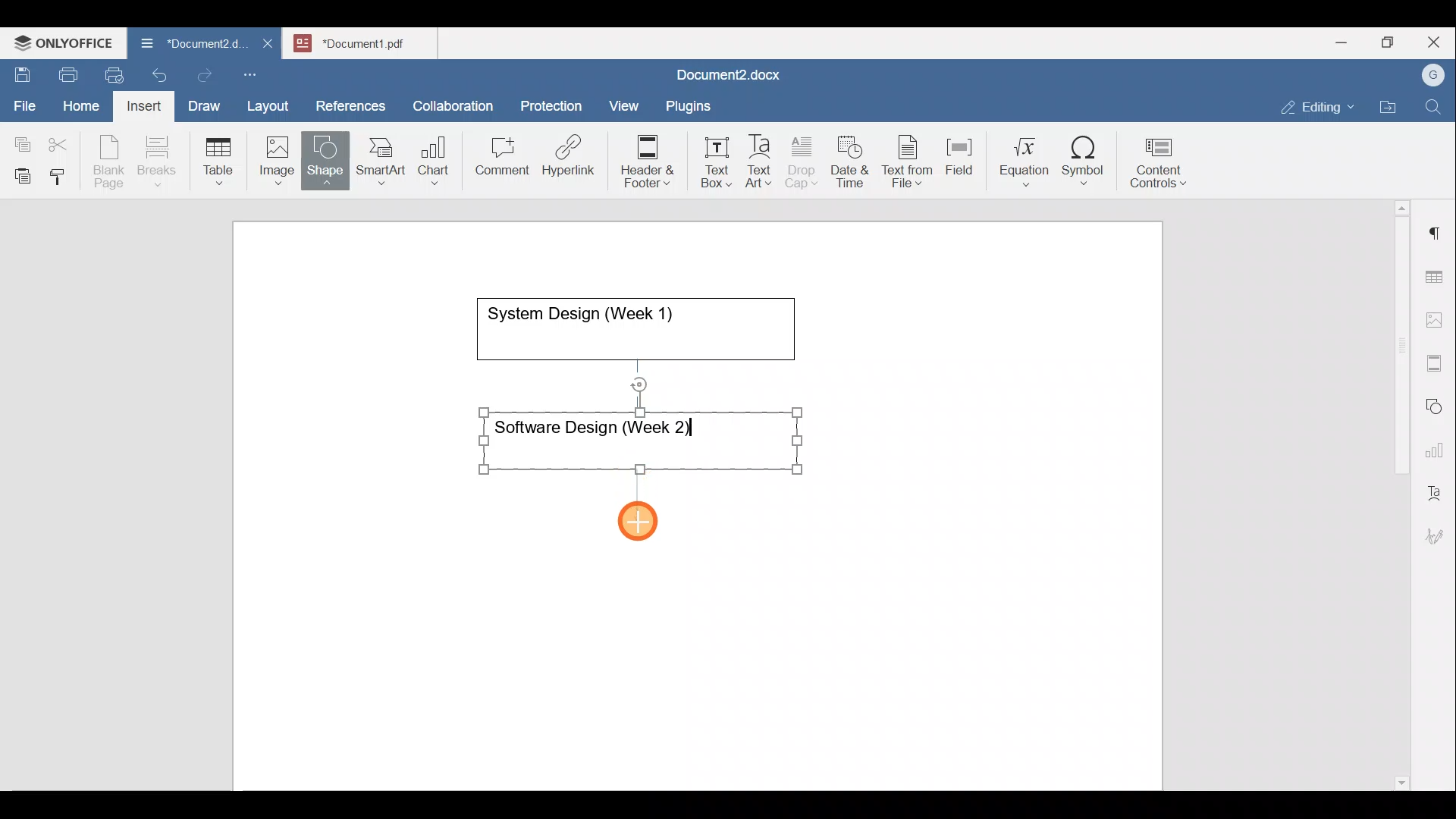 The image size is (1456, 819). Describe the element at coordinates (140, 103) in the screenshot. I see `Insert` at that location.